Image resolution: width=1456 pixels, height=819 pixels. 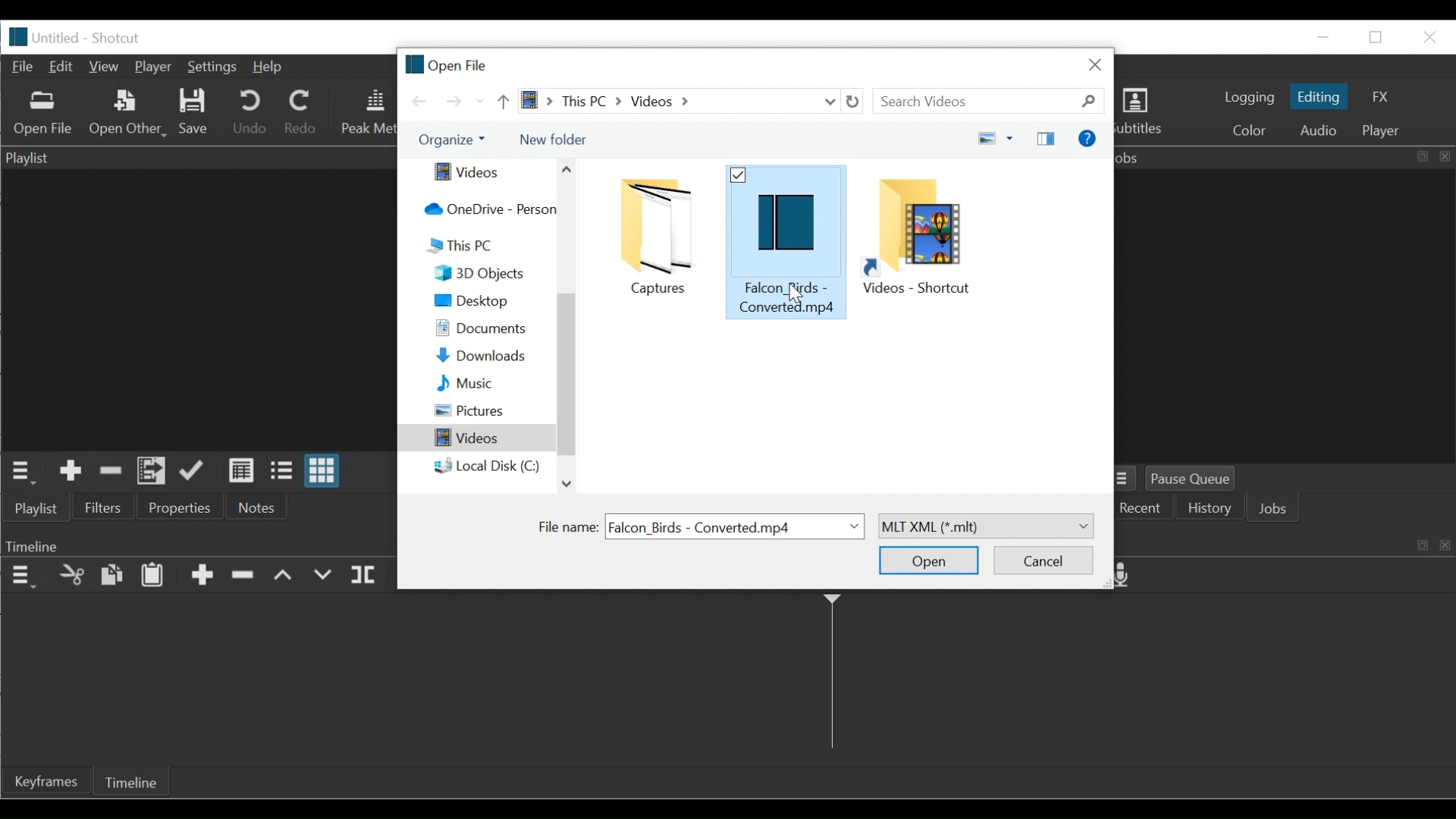 What do you see at coordinates (43, 114) in the screenshot?
I see `Open Other File` at bounding box center [43, 114].